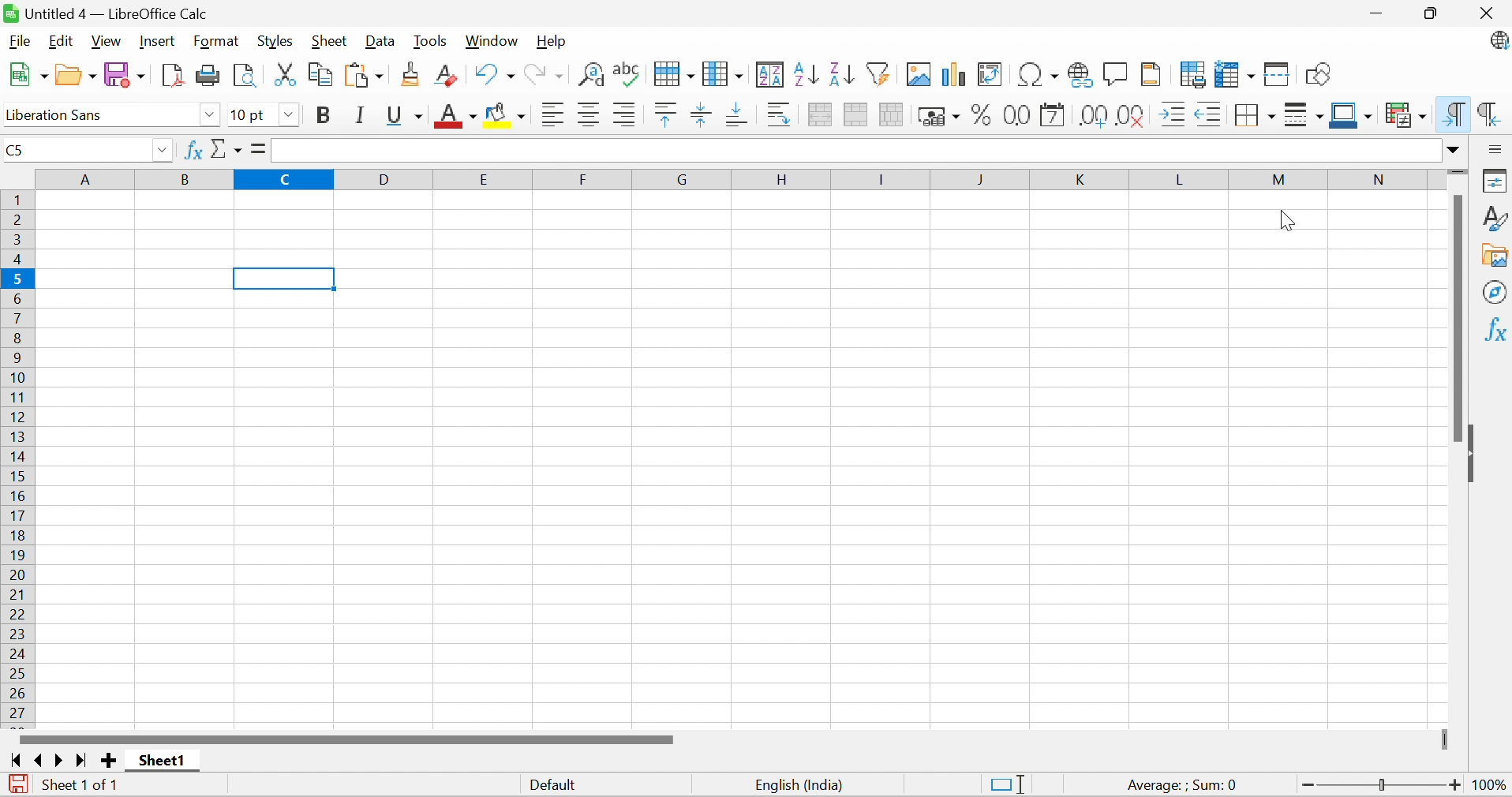 The image size is (1512, 797). Describe the element at coordinates (1151, 73) in the screenshot. I see `Headers and footers` at that location.